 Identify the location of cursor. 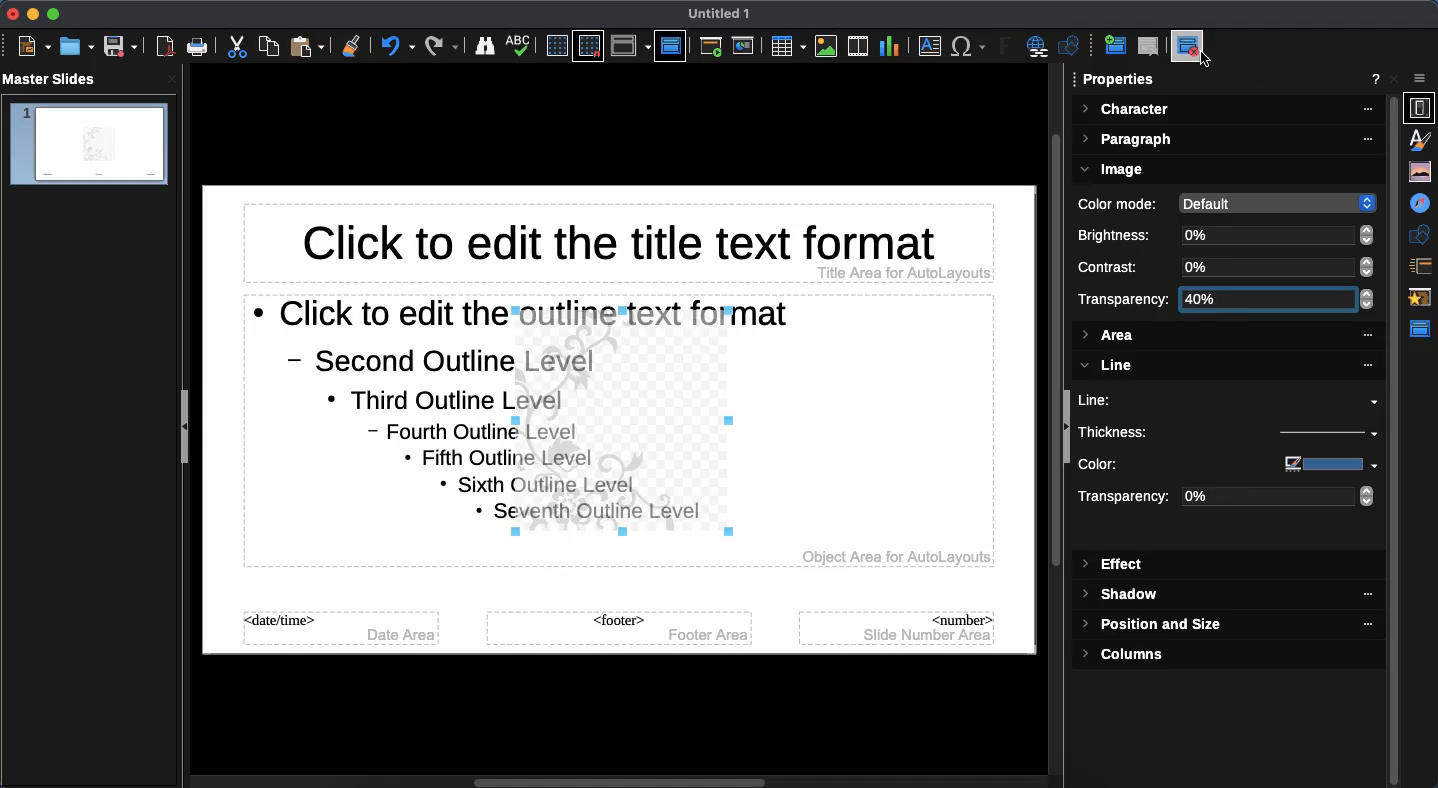
(1210, 64).